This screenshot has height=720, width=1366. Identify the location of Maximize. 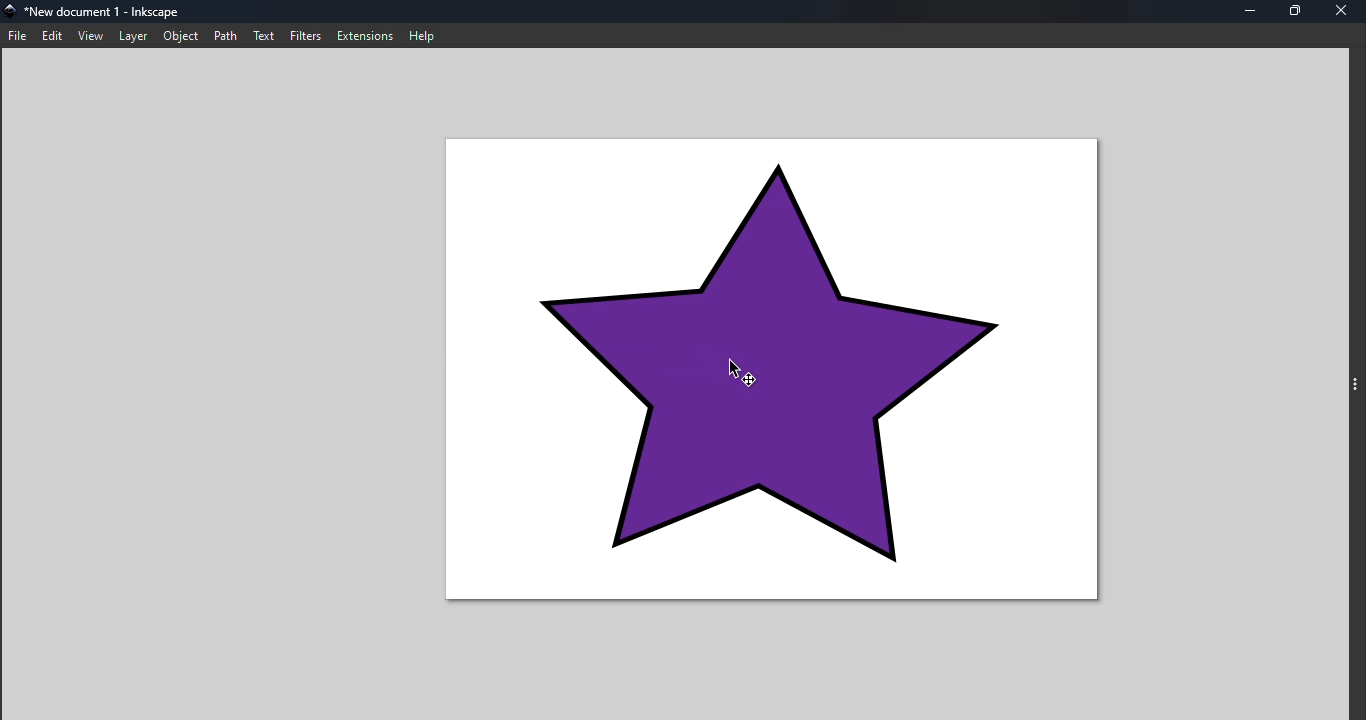
(1297, 12).